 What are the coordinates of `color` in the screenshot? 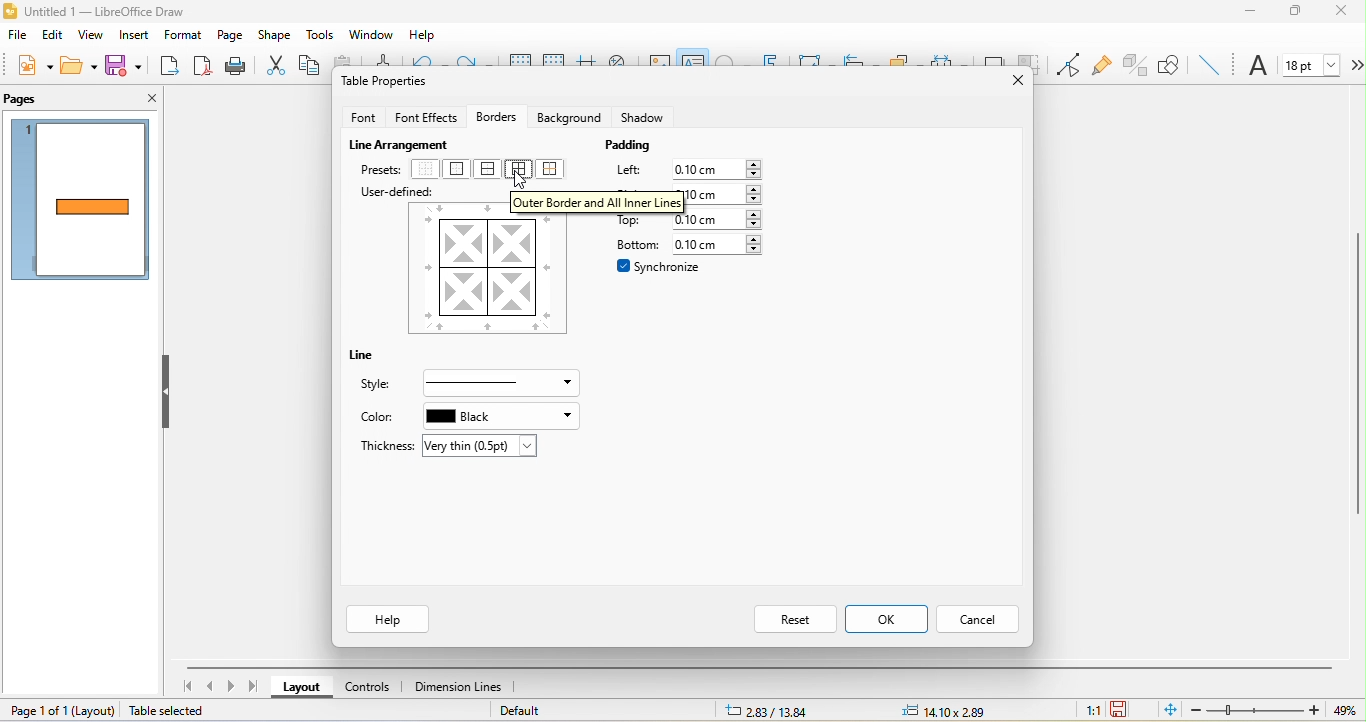 It's located at (378, 419).